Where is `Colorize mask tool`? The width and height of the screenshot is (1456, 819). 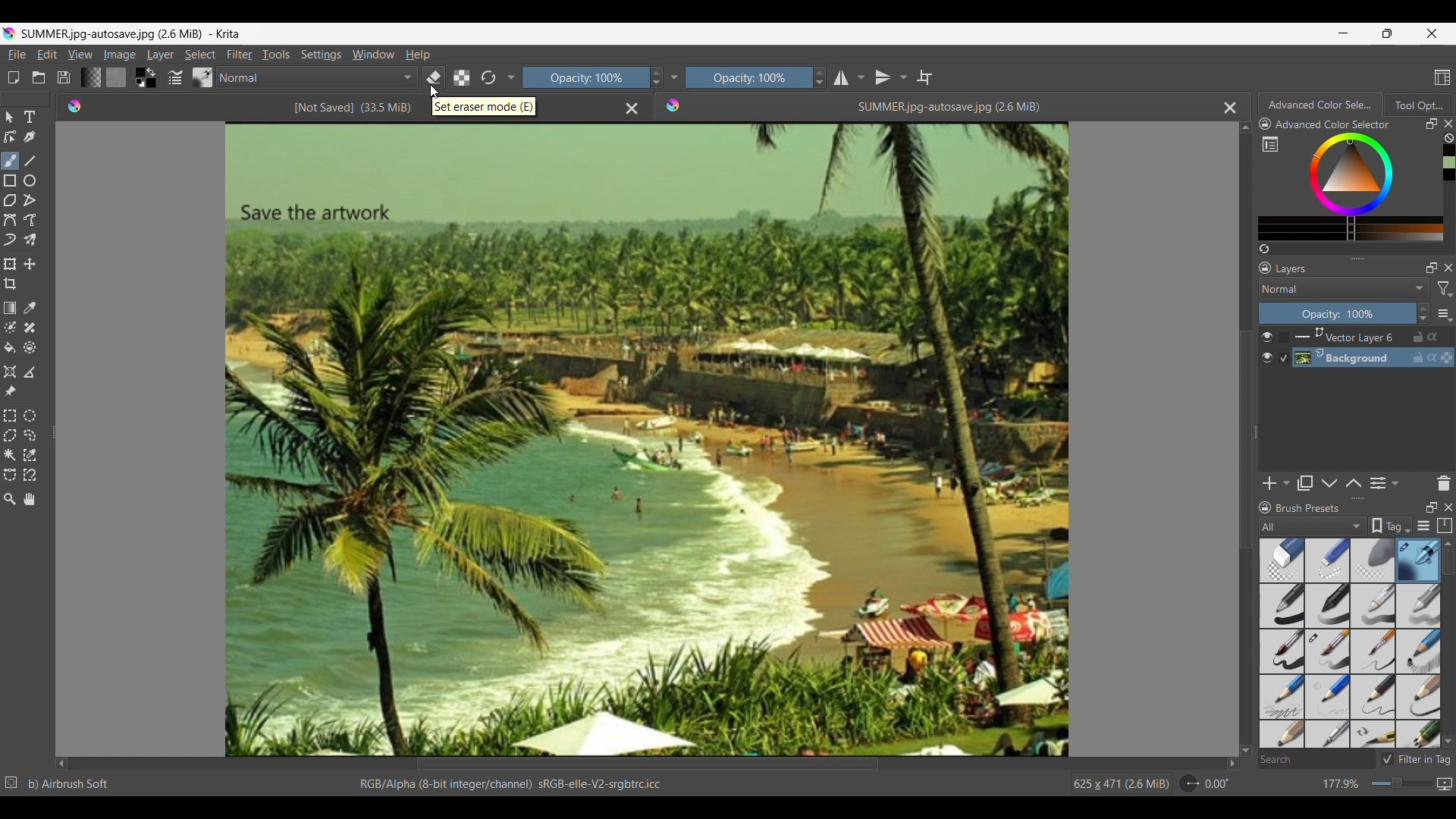 Colorize mask tool is located at coordinates (11, 327).